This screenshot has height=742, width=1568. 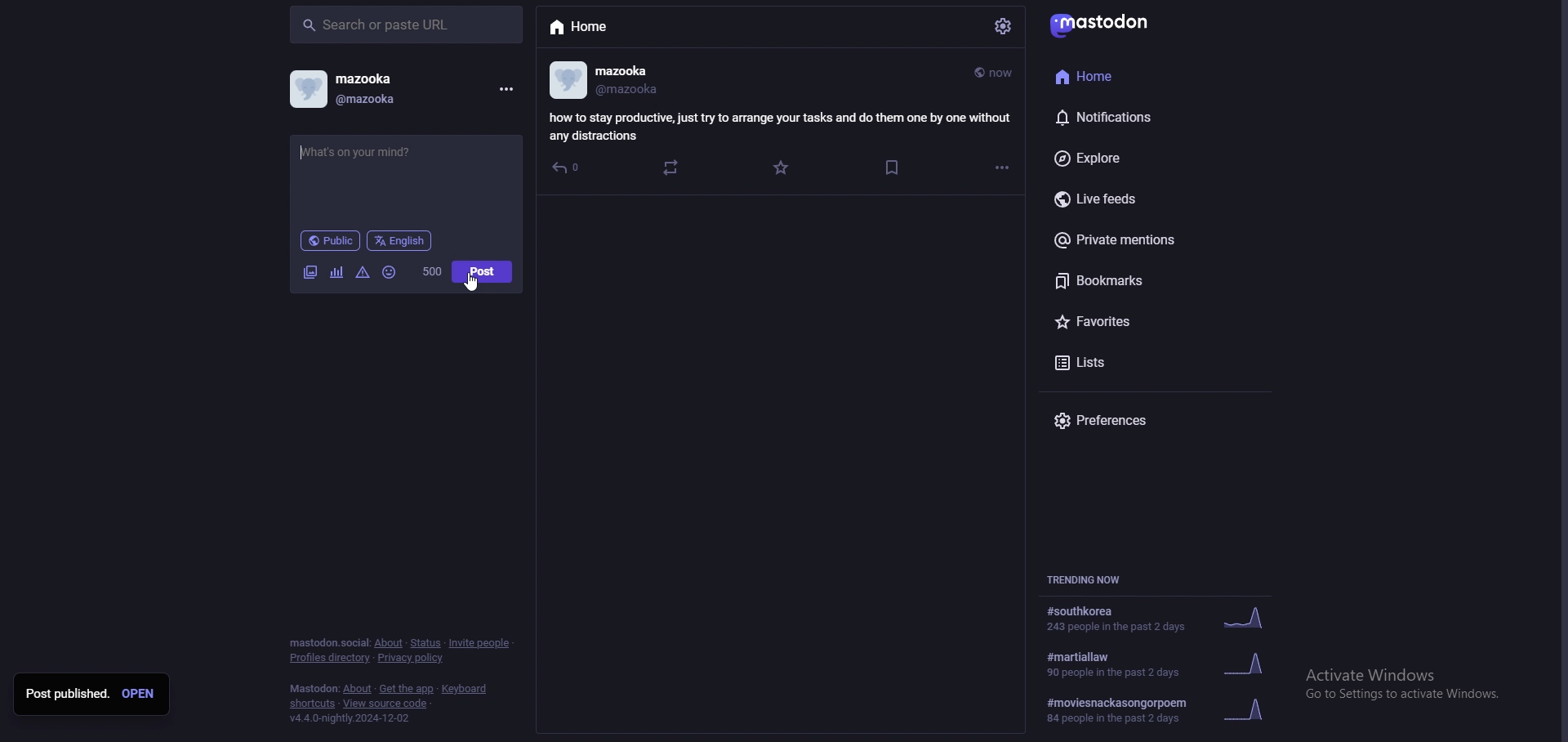 What do you see at coordinates (337, 272) in the screenshot?
I see `chart` at bounding box center [337, 272].